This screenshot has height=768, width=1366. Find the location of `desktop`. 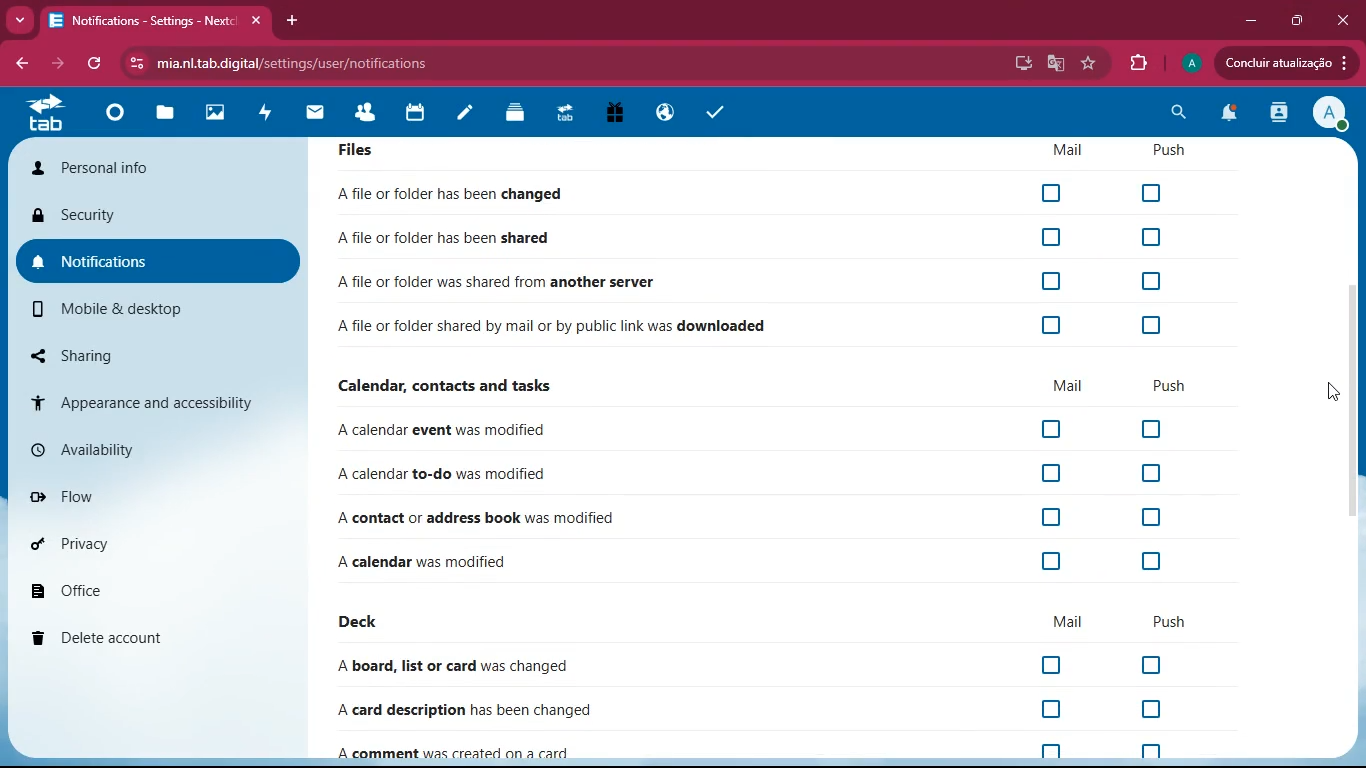

desktop is located at coordinates (1020, 65).